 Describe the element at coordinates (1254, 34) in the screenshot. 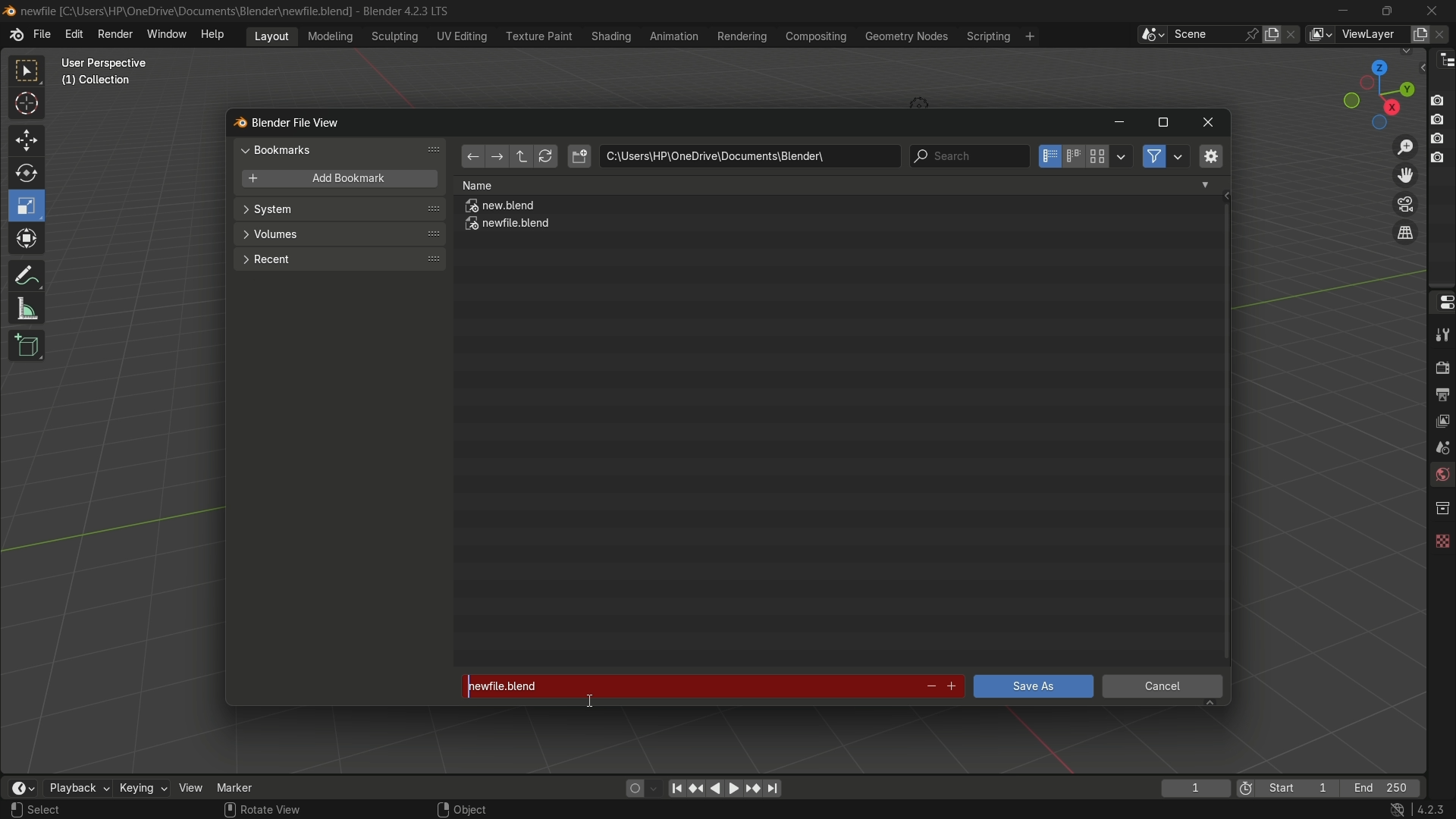

I see `pin scene to workplace` at that location.